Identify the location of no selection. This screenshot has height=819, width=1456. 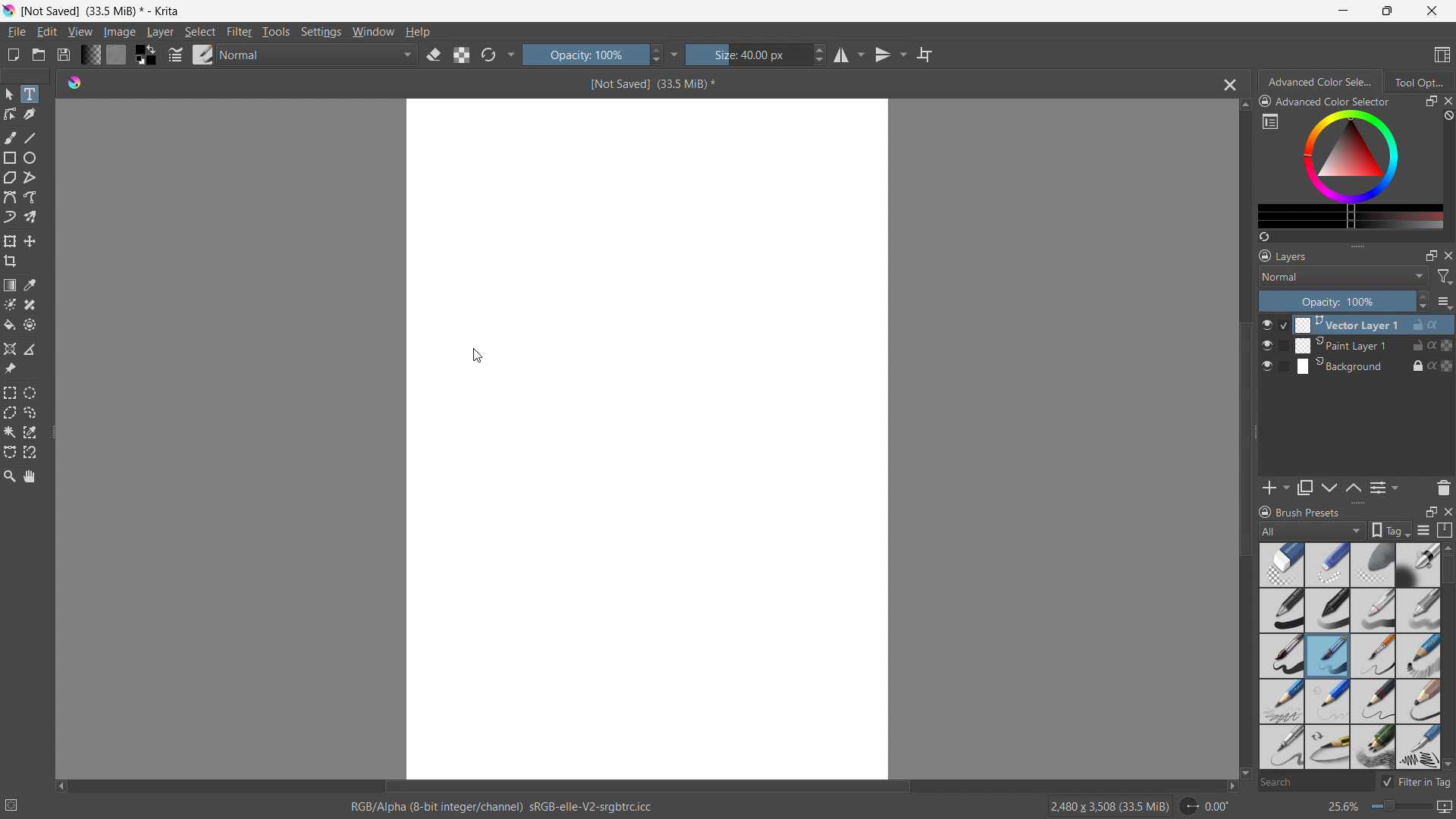
(18, 802).